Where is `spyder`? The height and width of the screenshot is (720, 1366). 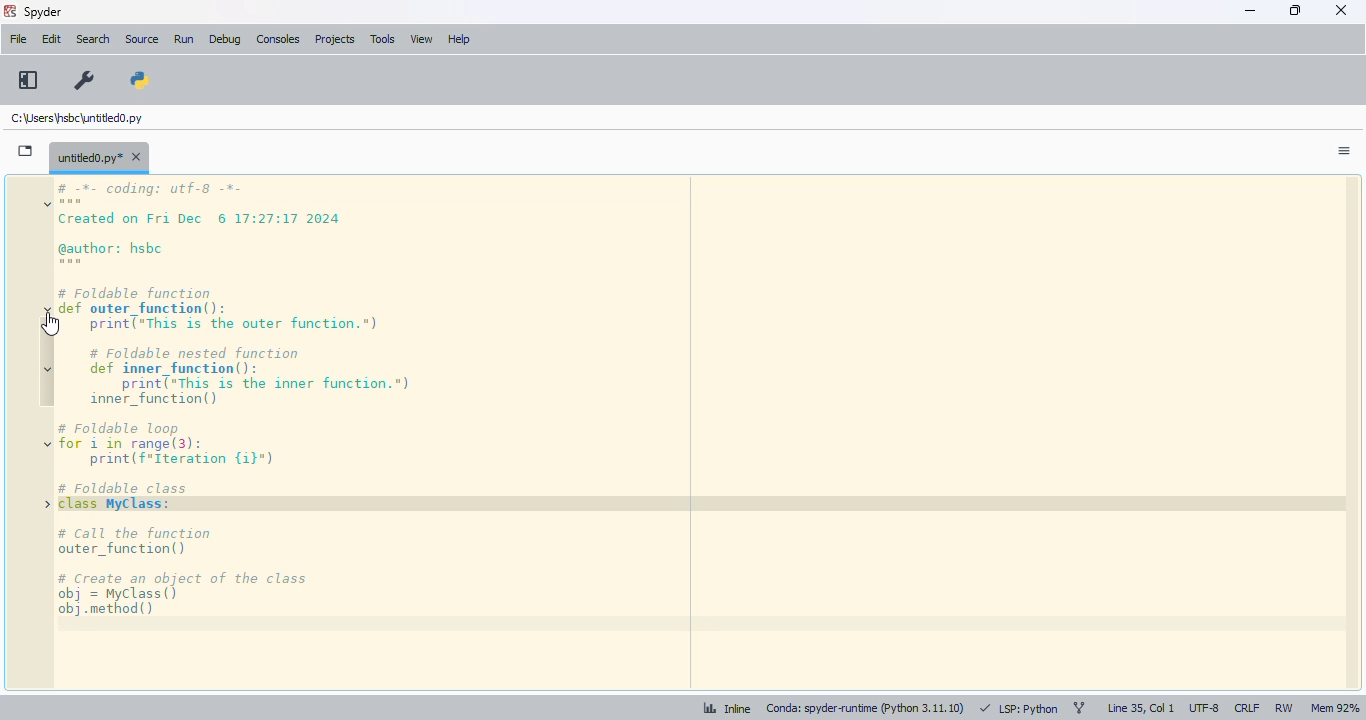
spyder is located at coordinates (44, 12).